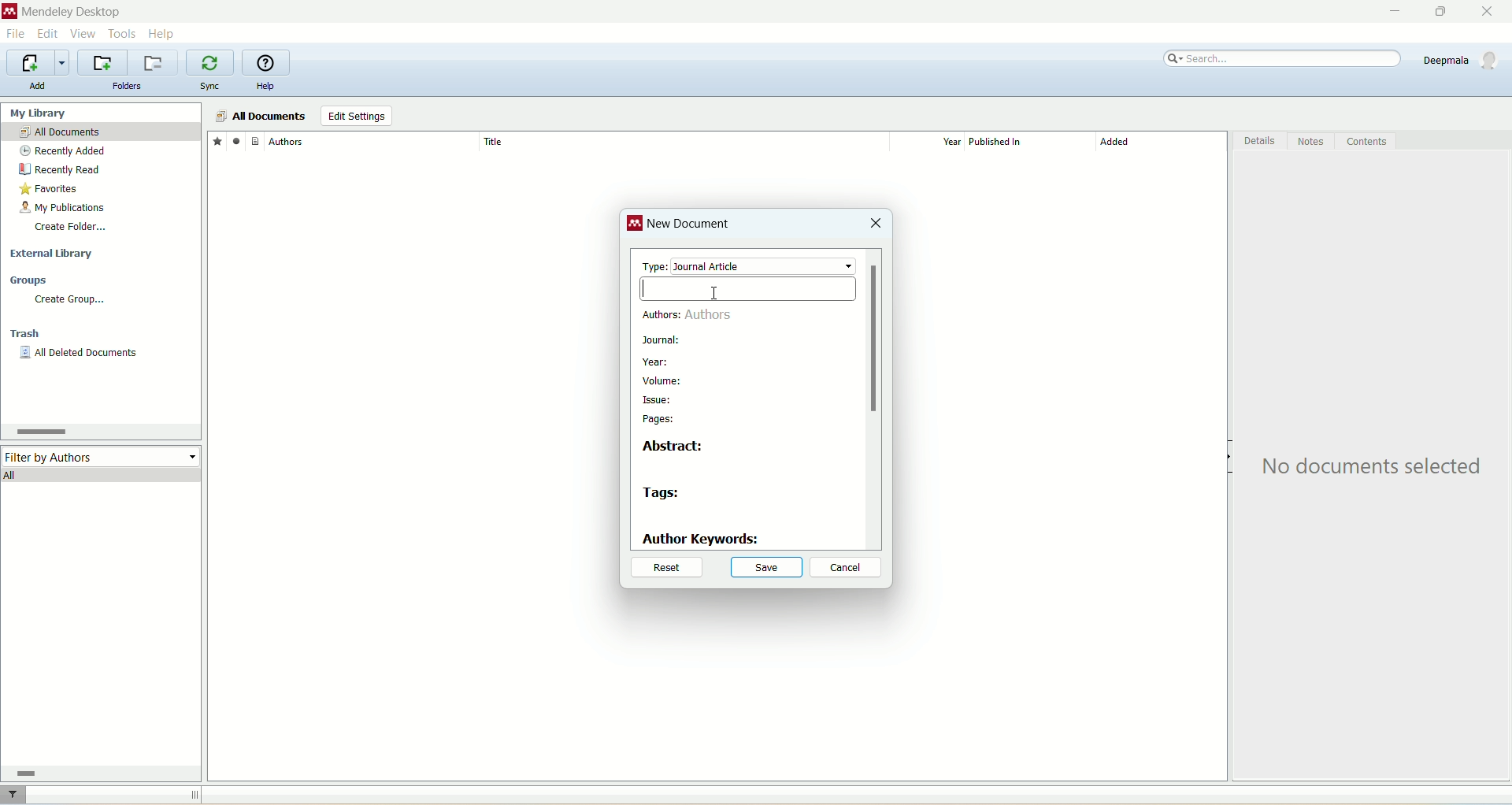  I want to click on journal, so click(662, 340).